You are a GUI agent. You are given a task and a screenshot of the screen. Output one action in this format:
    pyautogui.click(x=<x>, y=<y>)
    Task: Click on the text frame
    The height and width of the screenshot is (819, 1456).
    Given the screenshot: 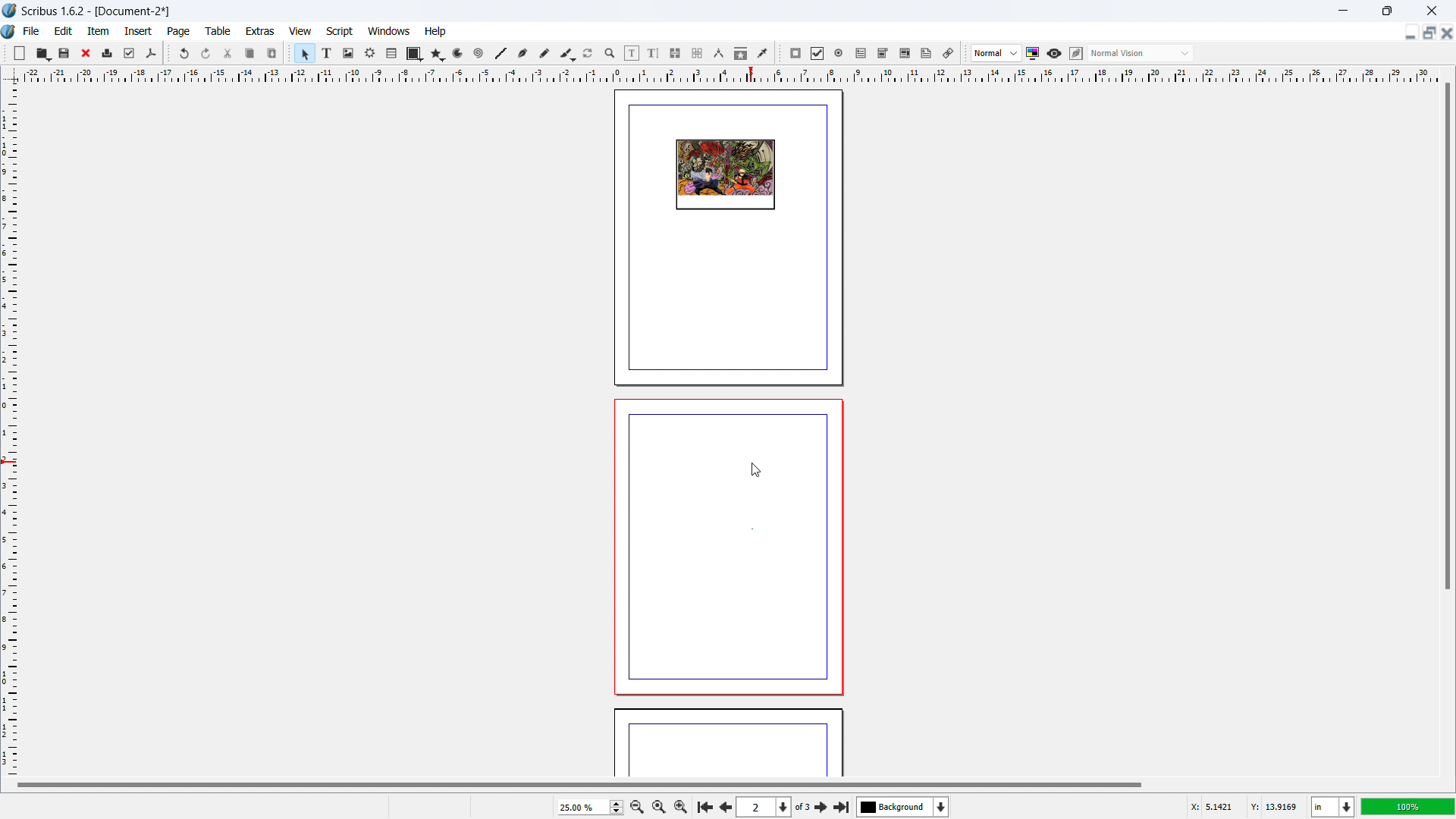 What is the action you would take?
    pyautogui.click(x=328, y=52)
    